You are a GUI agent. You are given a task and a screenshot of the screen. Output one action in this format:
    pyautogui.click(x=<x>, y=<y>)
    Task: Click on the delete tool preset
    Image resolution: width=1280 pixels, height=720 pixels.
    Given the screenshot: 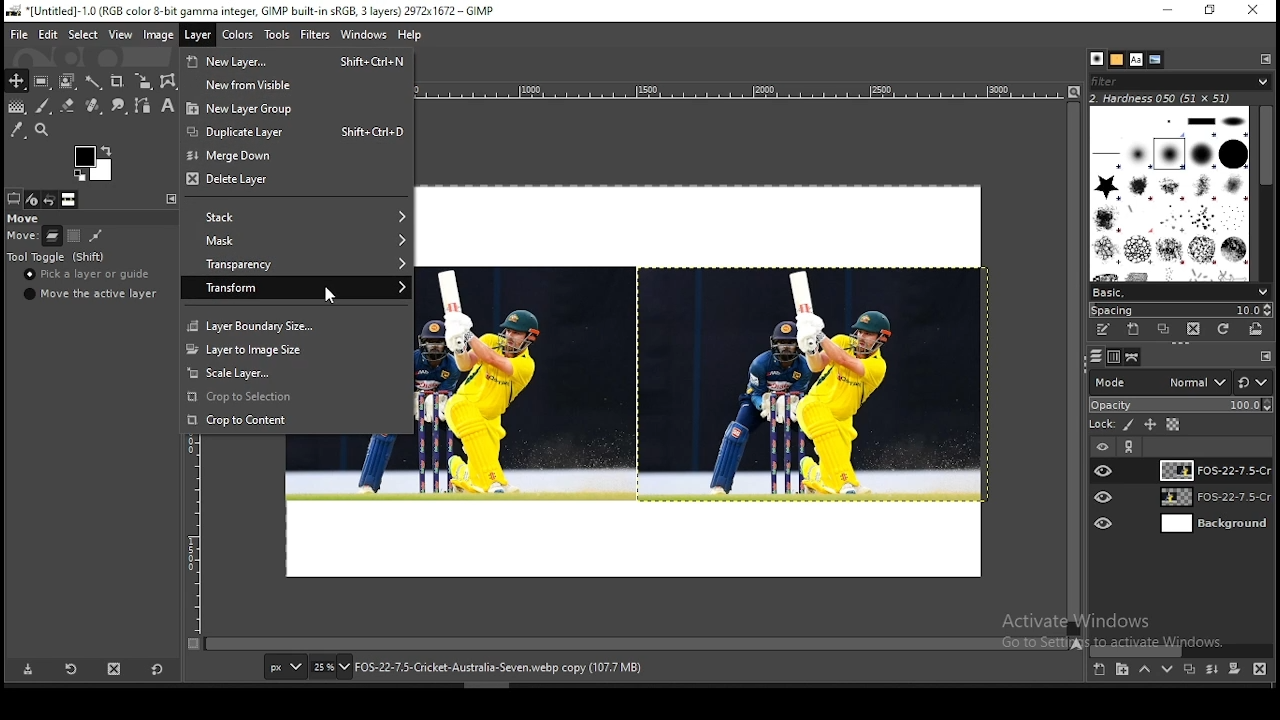 What is the action you would take?
    pyautogui.click(x=116, y=668)
    